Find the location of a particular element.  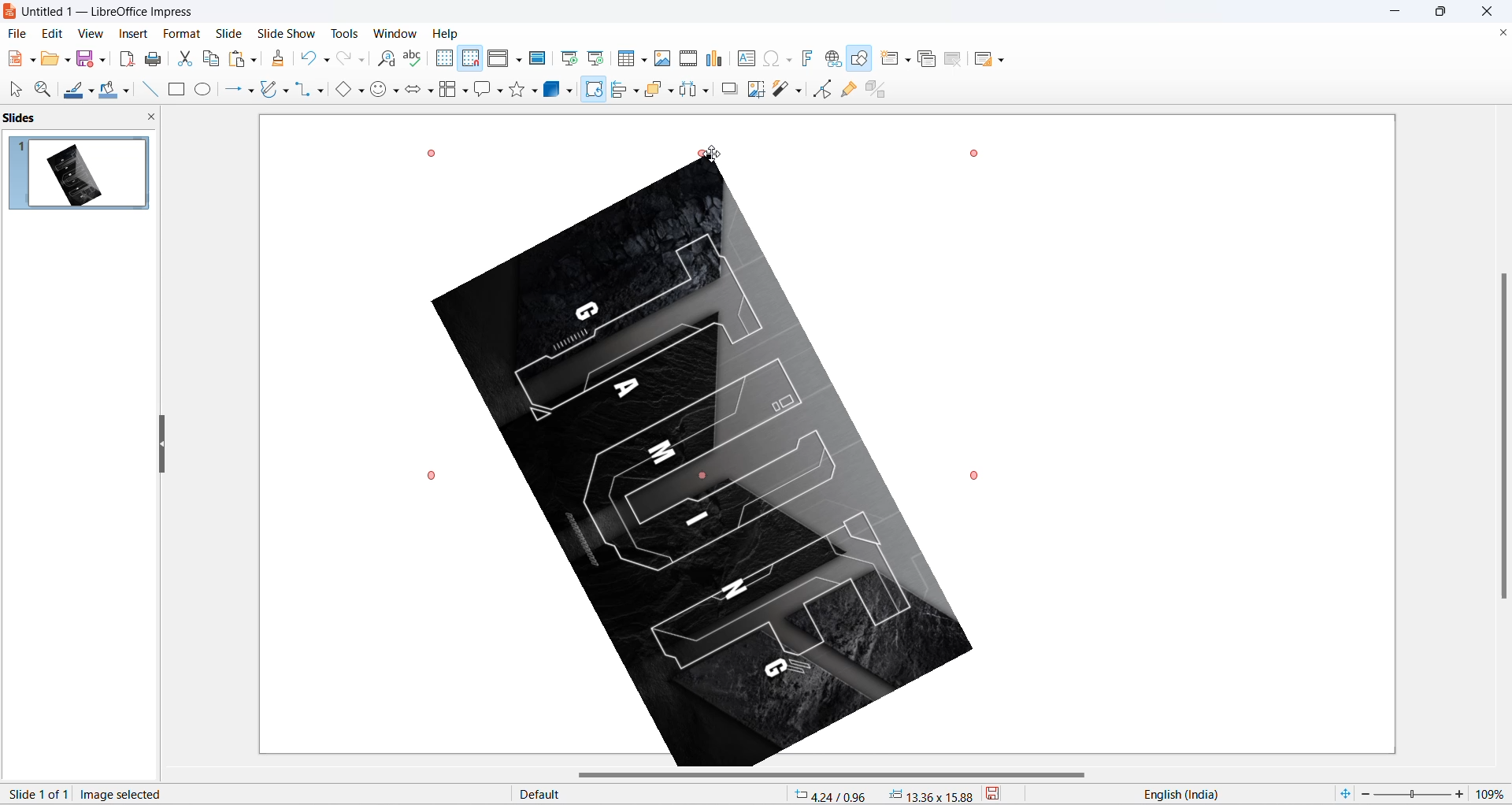

copy is located at coordinates (212, 58).